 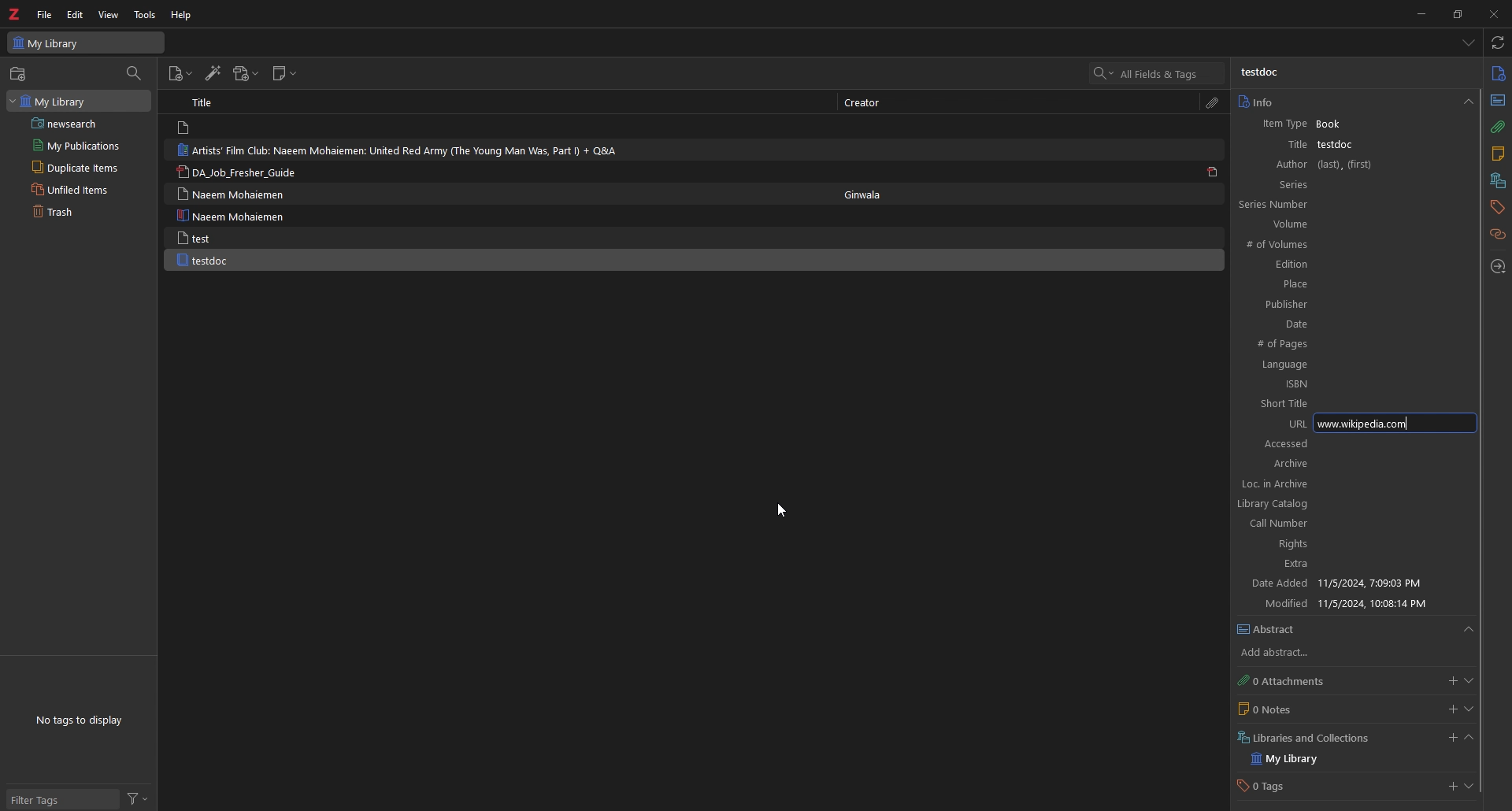 I want to click on cursor, so click(x=781, y=513).